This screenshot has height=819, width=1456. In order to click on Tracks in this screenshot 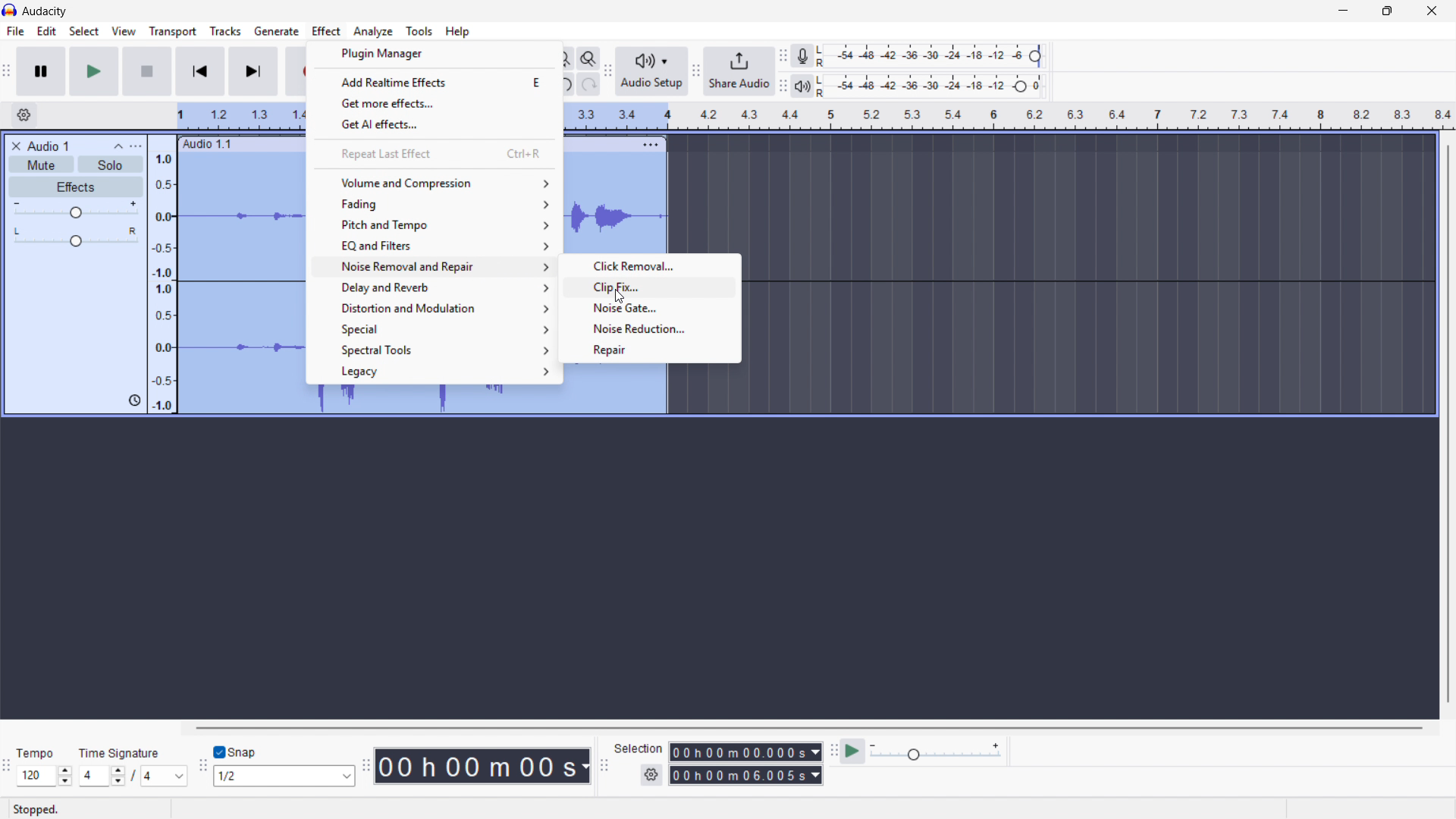, I will do `click(225, 30)`.